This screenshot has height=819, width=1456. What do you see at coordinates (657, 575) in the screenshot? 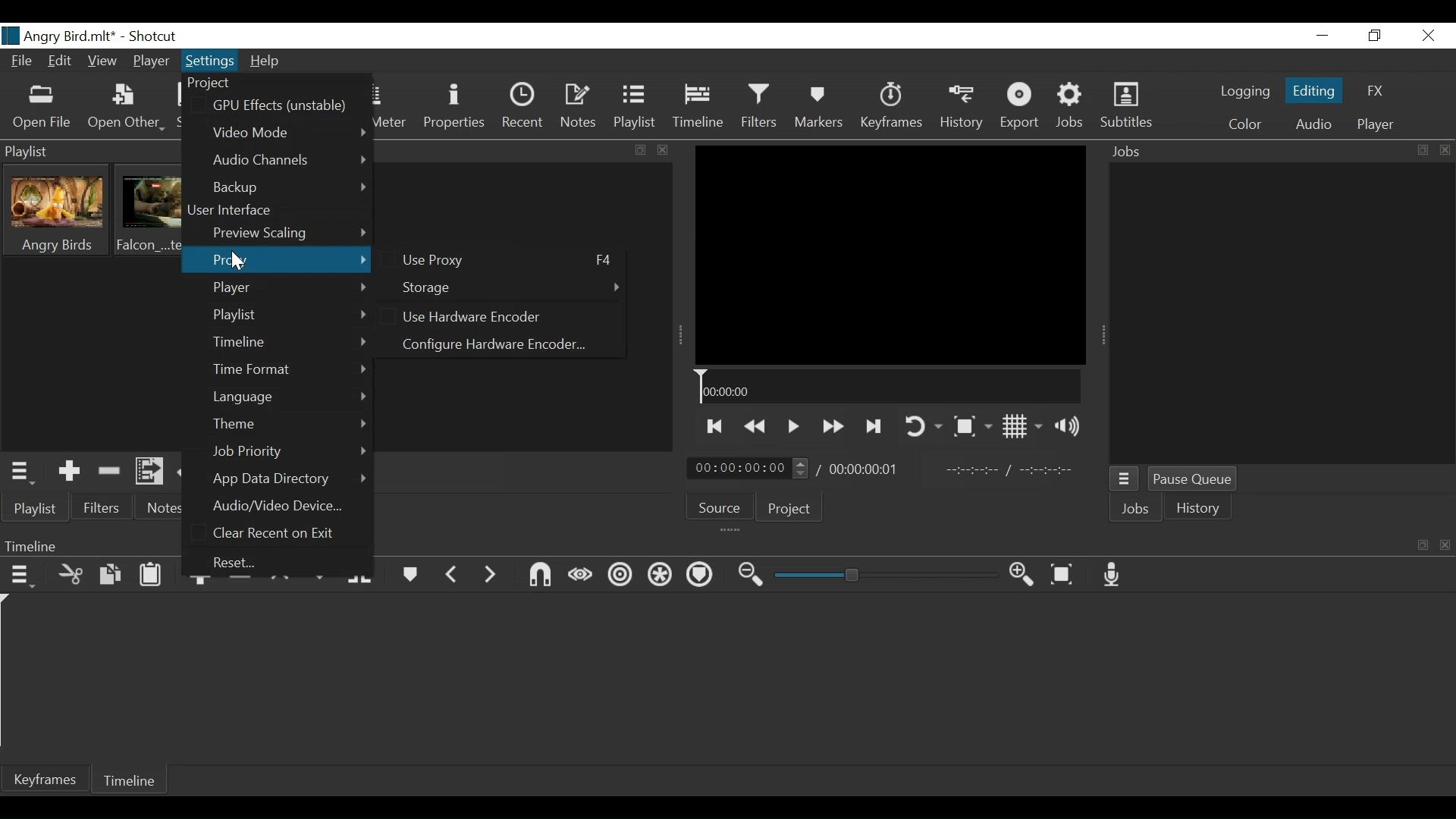
I see `Ripple all tracks` at bounding box center [657, 575].